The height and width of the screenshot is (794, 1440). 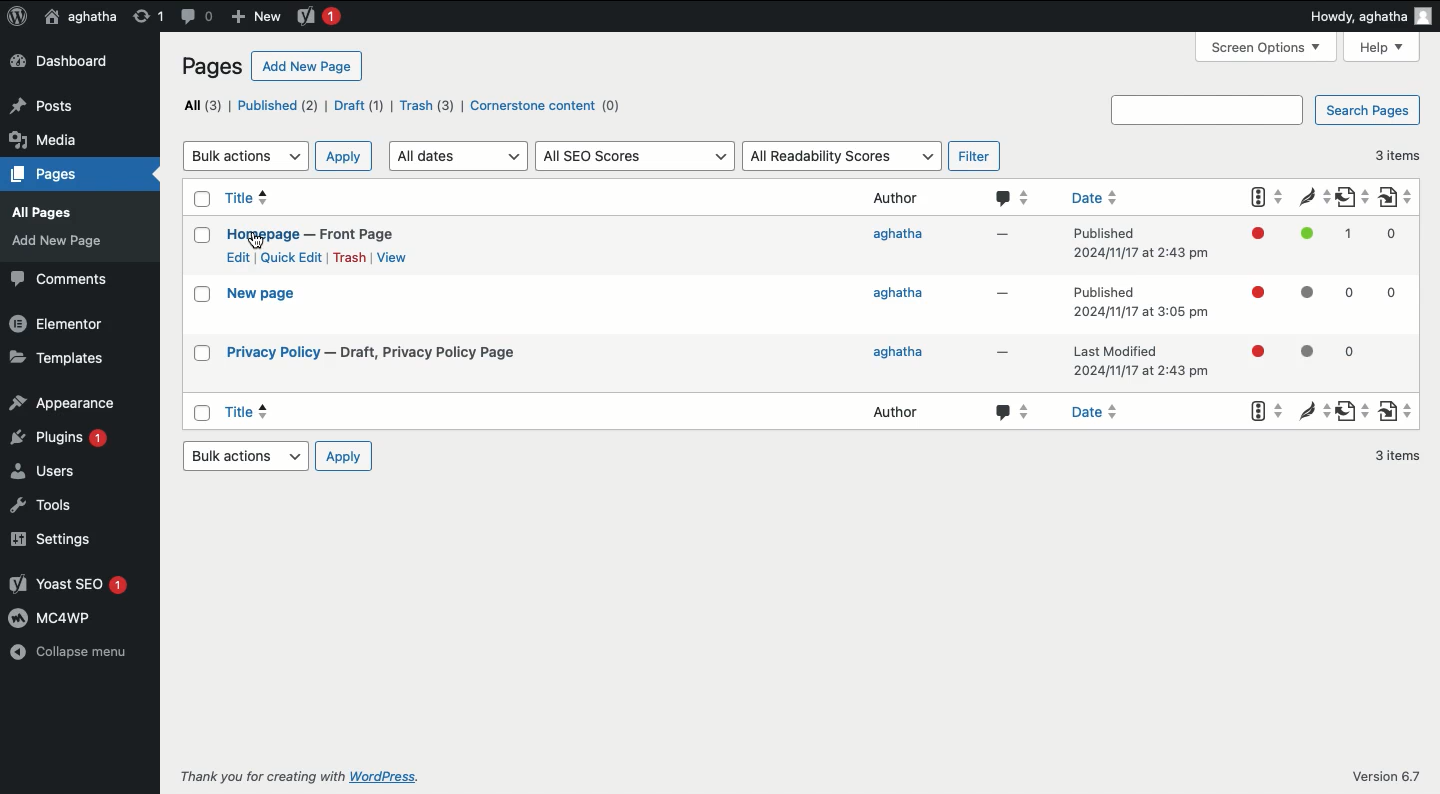 I want to click on posts , so click(x=57, y=103).